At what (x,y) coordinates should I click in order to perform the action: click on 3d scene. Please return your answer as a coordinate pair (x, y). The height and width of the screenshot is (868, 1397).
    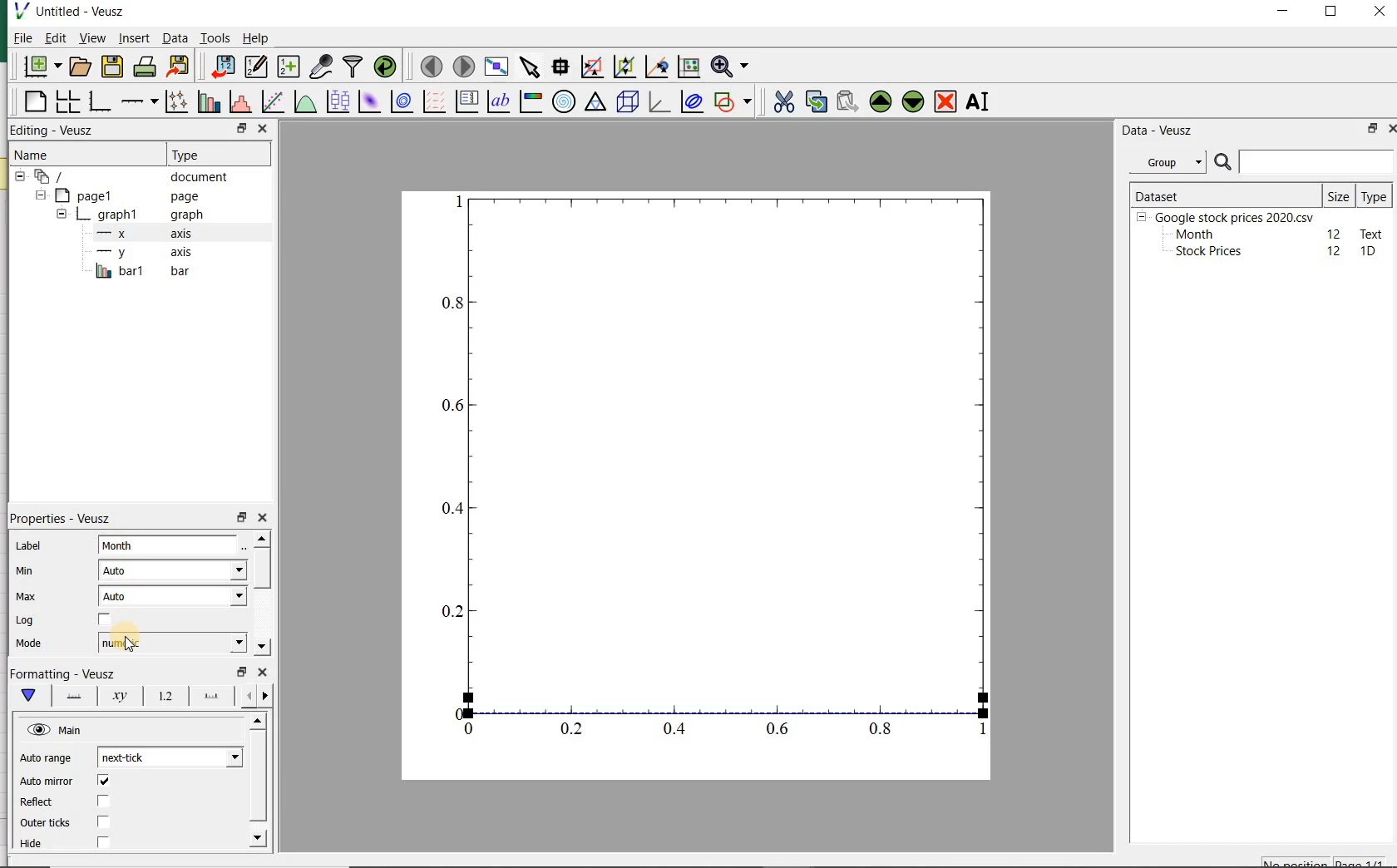
    Looking at the image, I should click on (628, 103).